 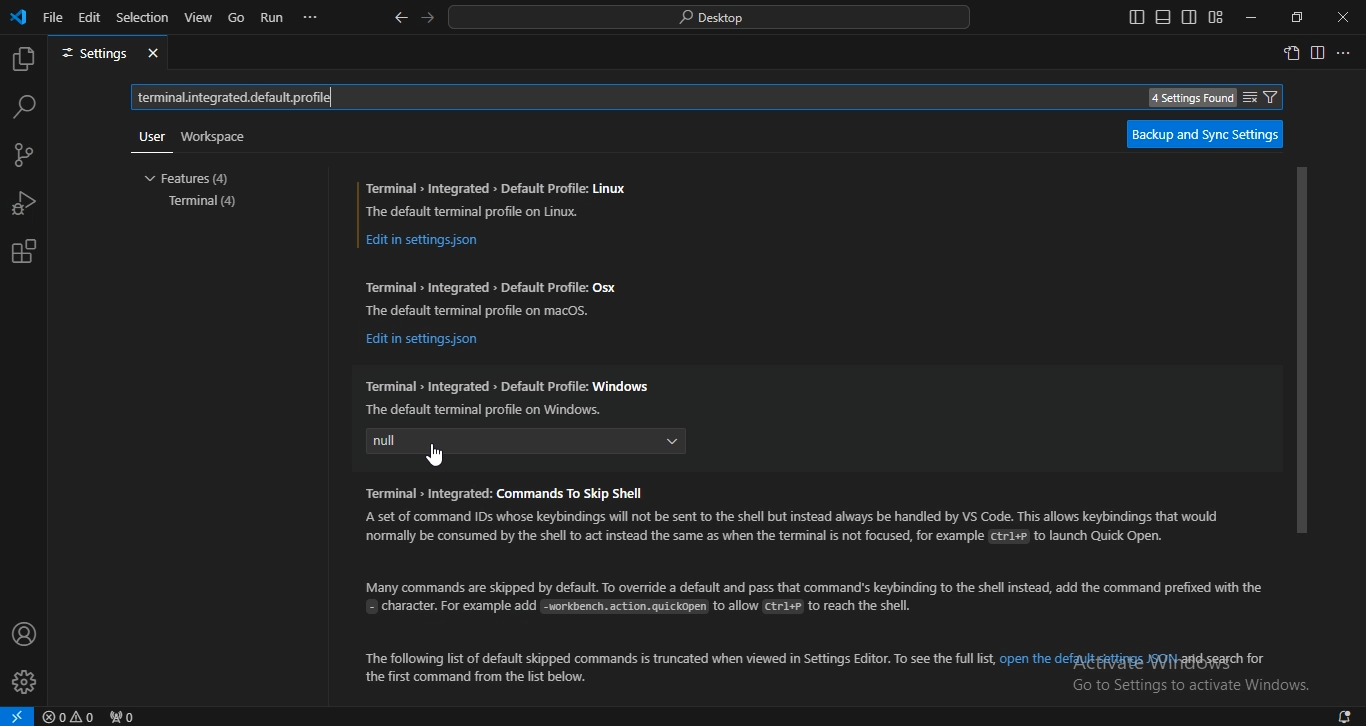 I want to click on user, so click(x=153, y=138).